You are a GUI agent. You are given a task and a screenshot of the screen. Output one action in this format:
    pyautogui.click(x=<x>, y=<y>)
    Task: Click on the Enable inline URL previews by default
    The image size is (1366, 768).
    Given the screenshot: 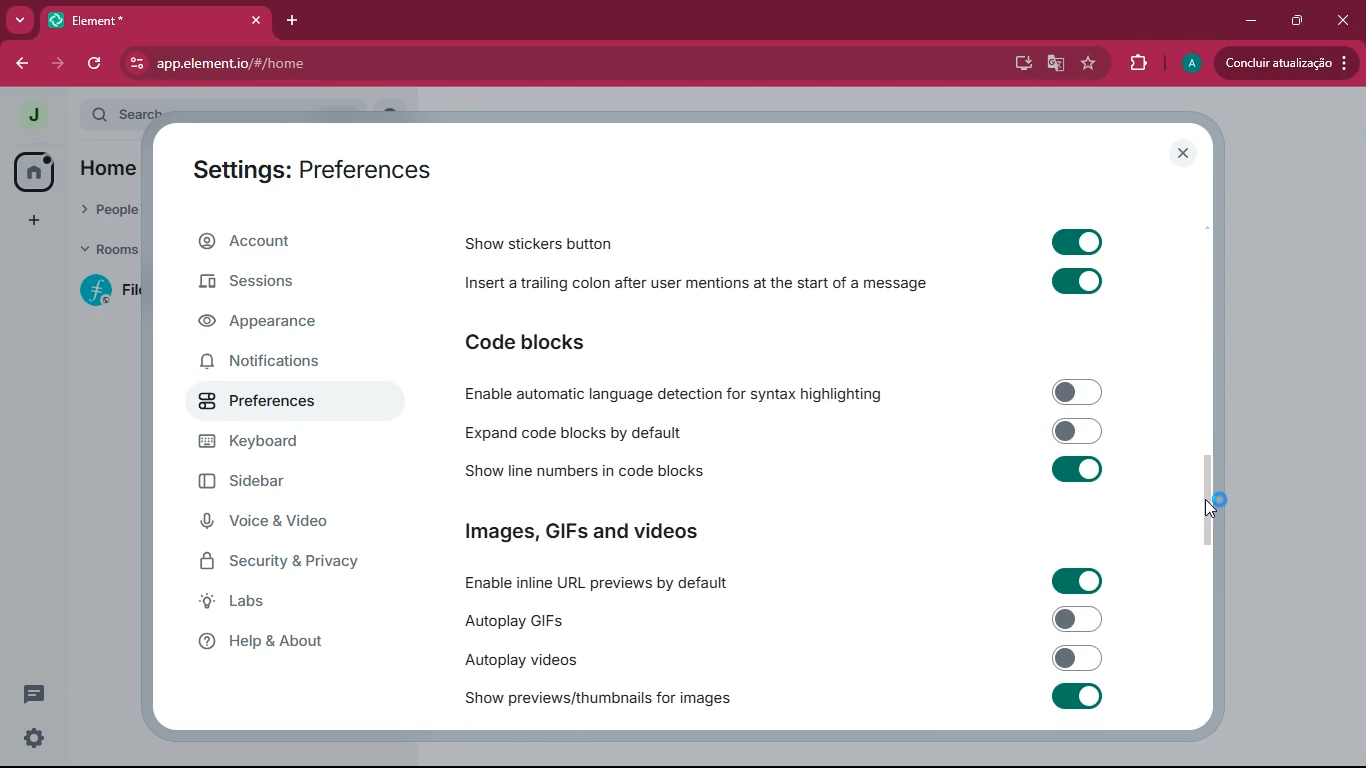 What is the action you would take?
    pyautogui.click(x=597, y=585)
    